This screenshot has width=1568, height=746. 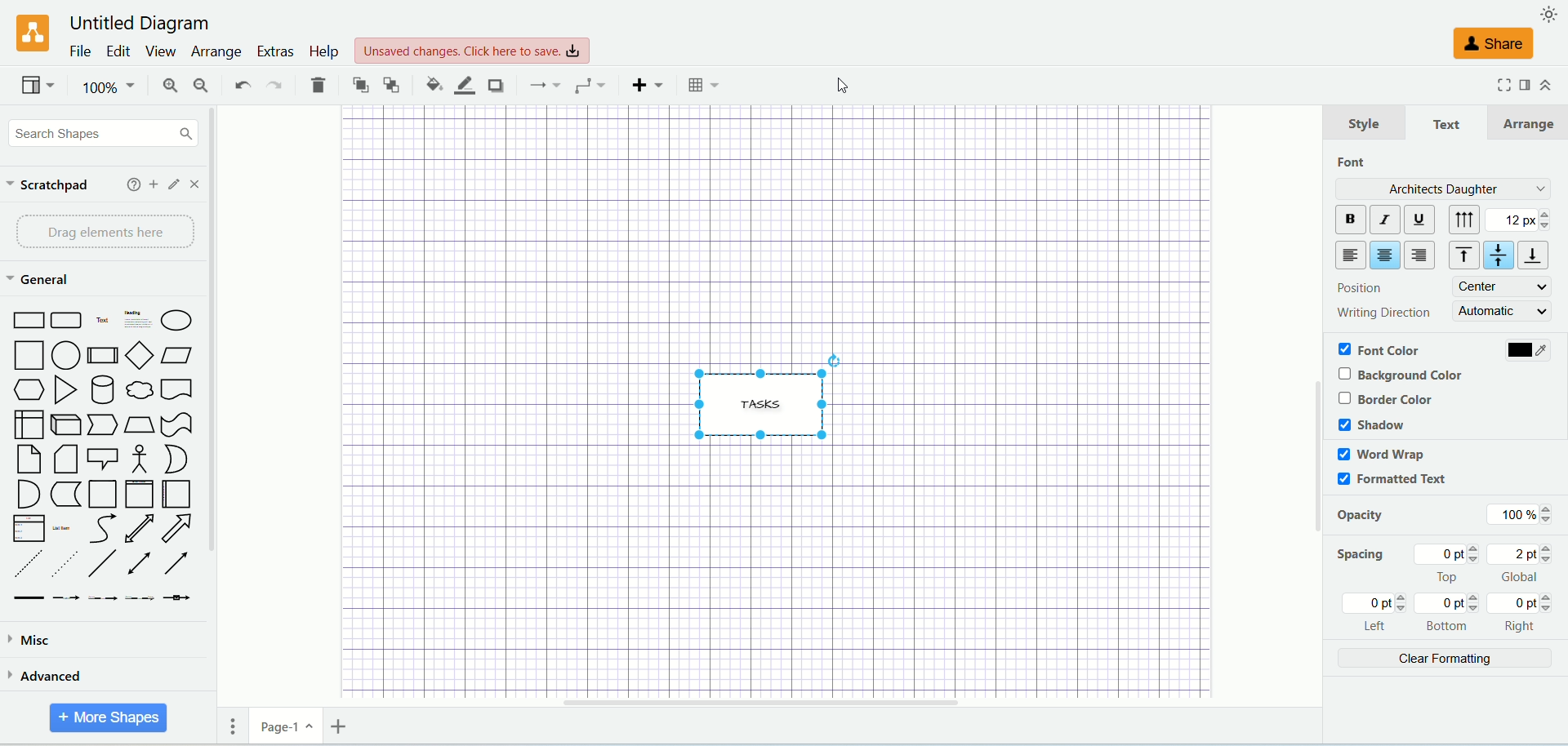 What do you see at coordinates (768, 395) in the screenshot?
I see `Tasks` at bounding box center [768, 395].